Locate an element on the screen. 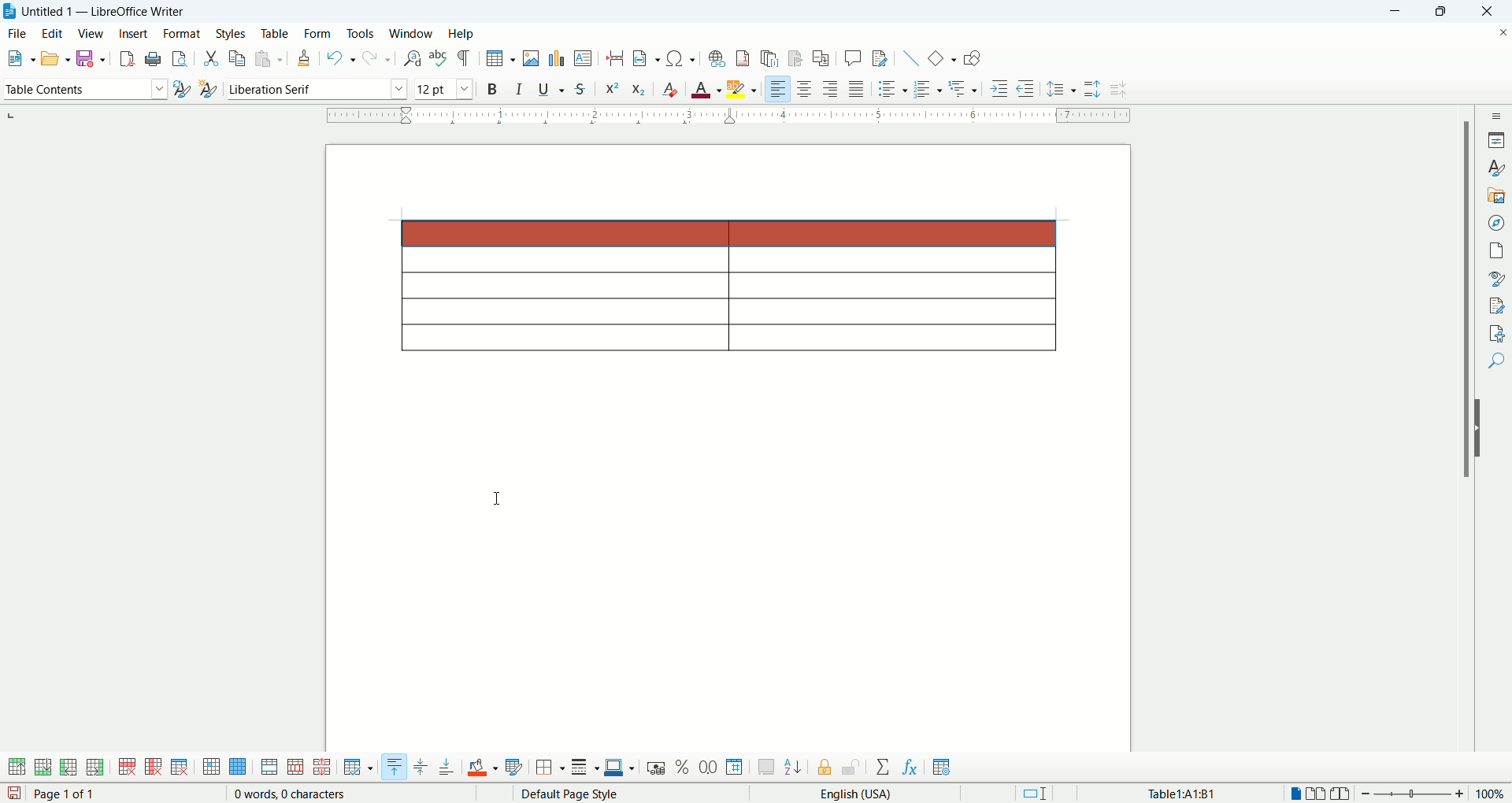 The height and width of the screenshot is (803, 1512). border style is located at coordinates (584, 768).